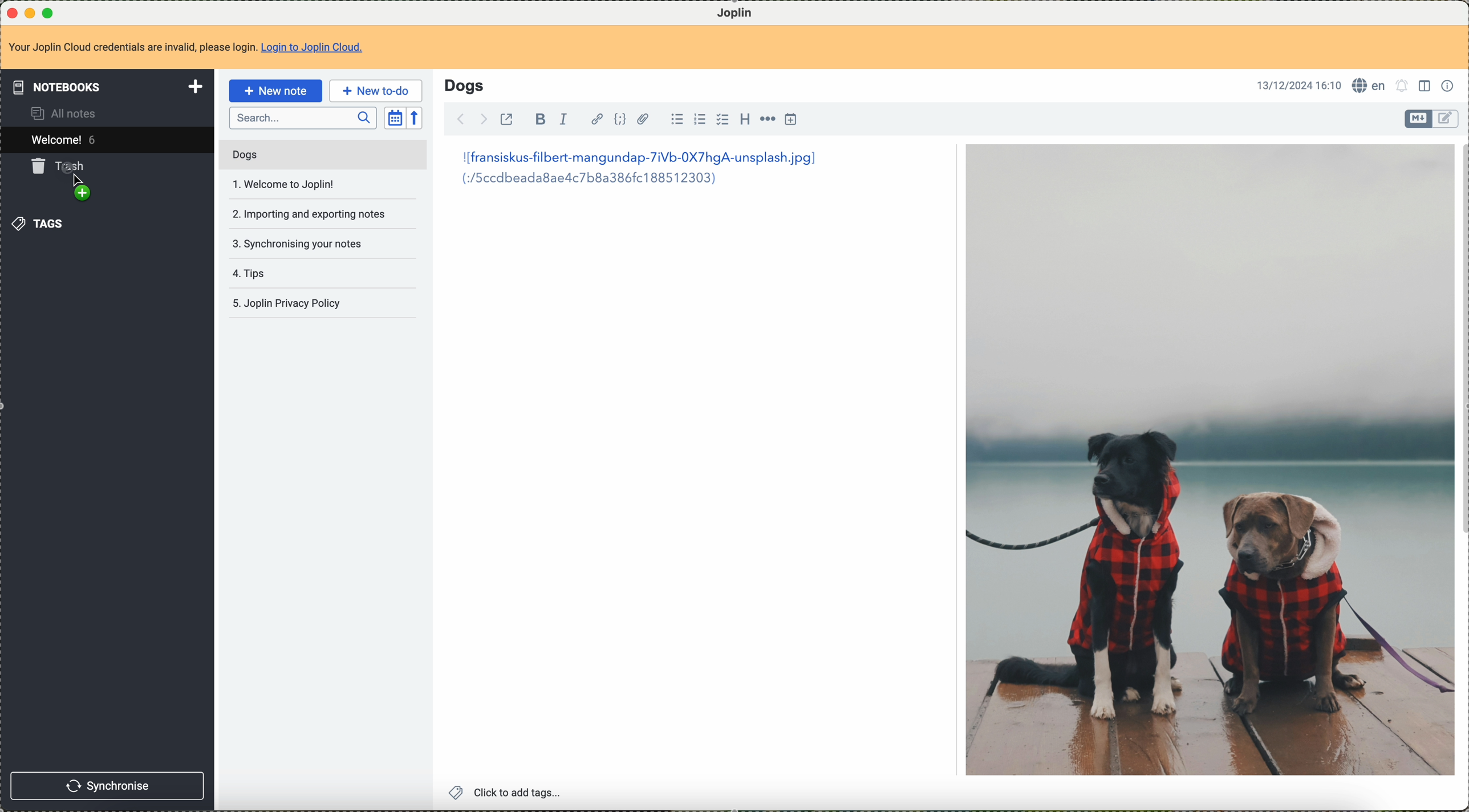 This screenshot has height=812, width=1469. What do you see at coordinates (375, 91) in the screenshot?
I see `new to-do` at bounding box center [375, 91].